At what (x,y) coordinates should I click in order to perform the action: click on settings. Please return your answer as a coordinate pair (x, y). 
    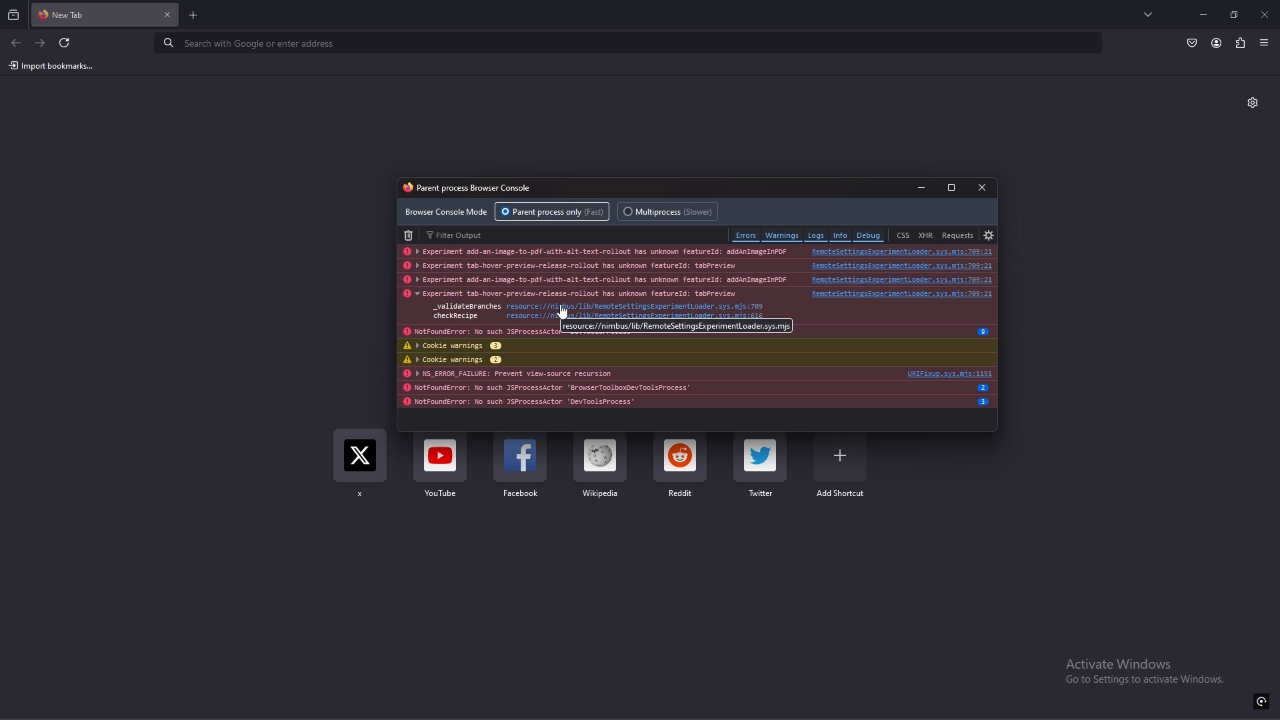
    Looking at the image, I should click on (988, 235).